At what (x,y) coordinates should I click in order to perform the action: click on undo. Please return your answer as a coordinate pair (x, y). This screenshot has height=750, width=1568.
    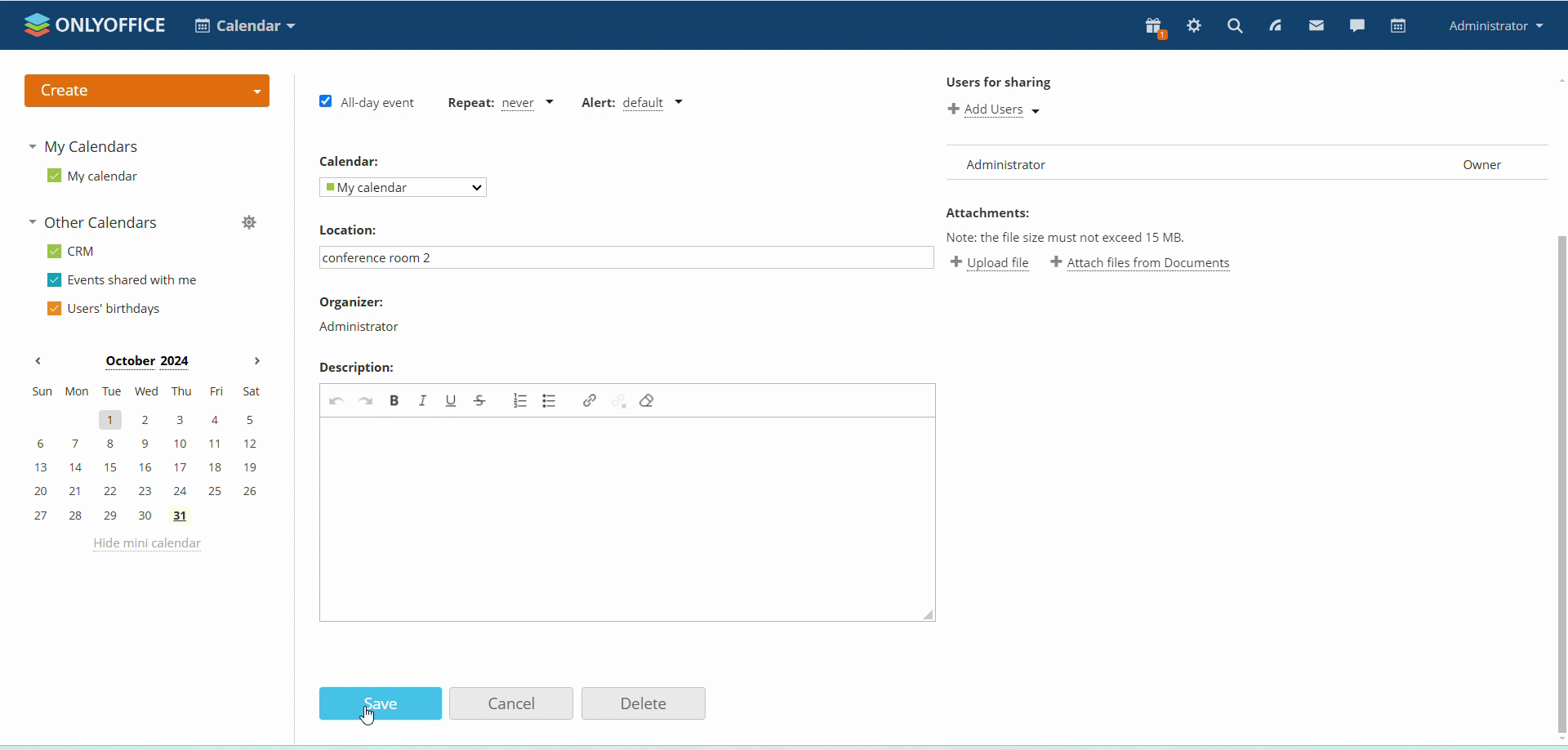
    Looking at the image, I should click on (336, 401).